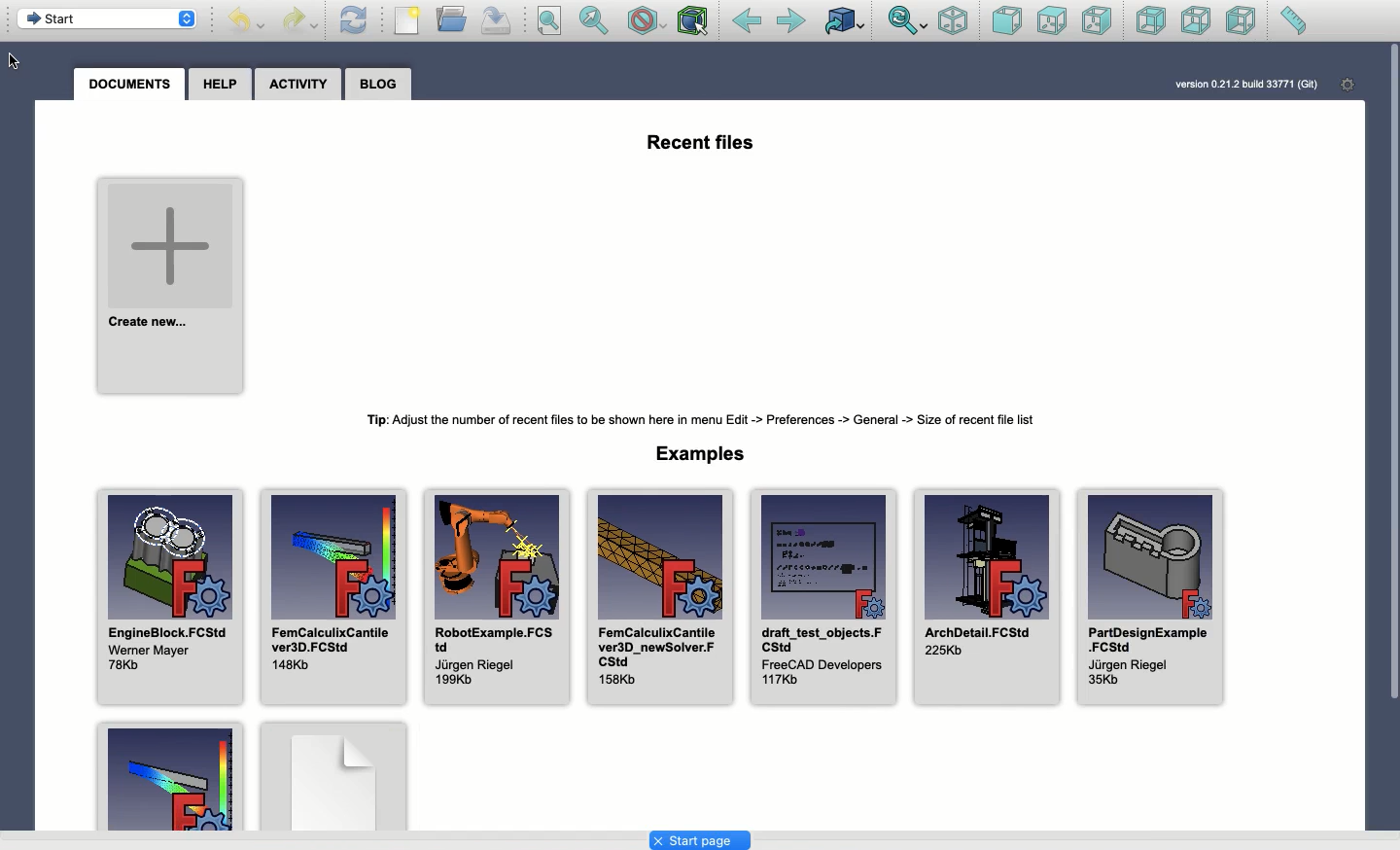 This screenshot has height=850, width=1400. Describe the element at coordinates (907, 20) in the screenshot. I see `Sync view` at that location.